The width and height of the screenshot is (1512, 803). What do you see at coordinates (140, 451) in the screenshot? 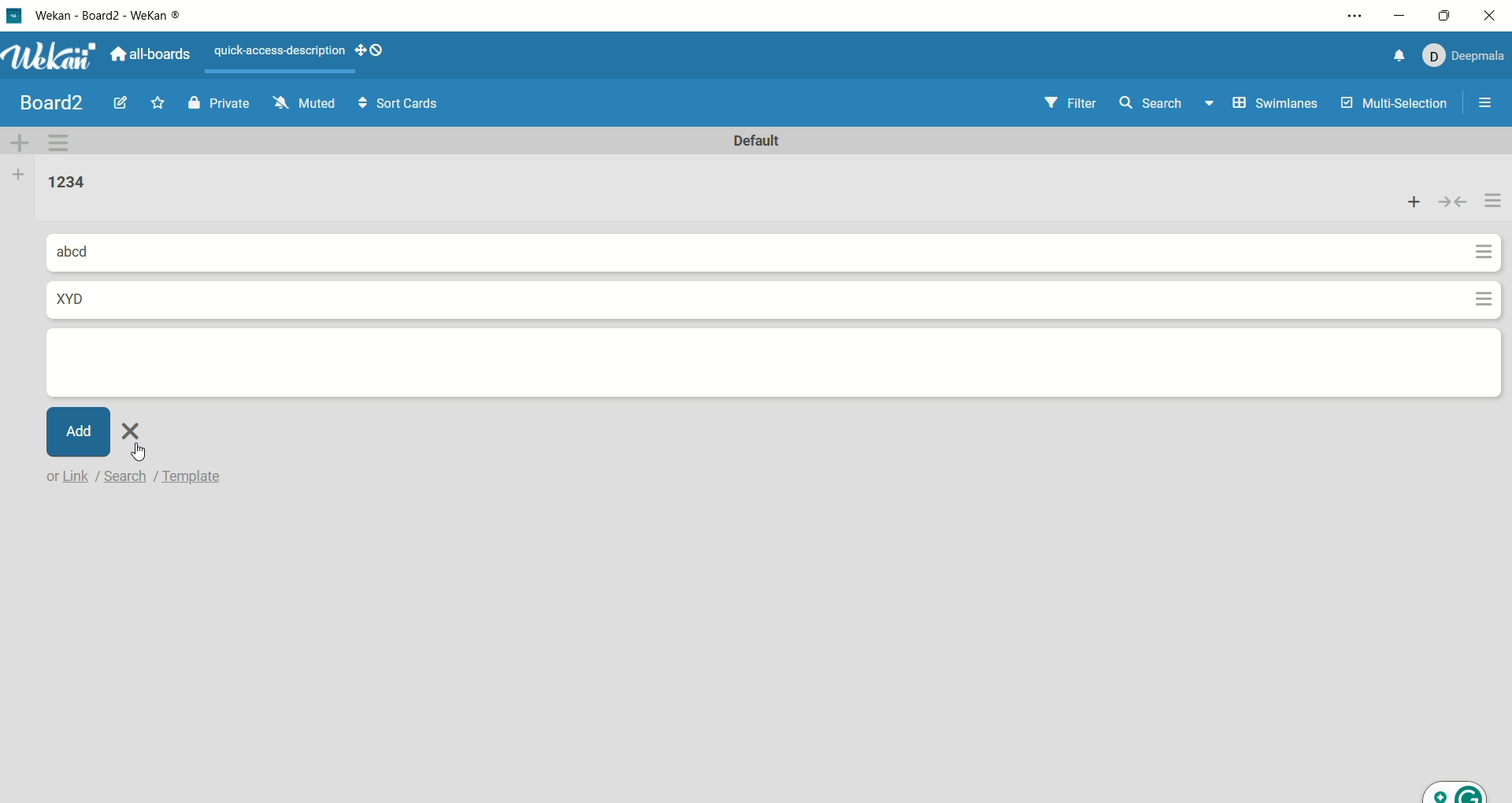
I see `cursor` at bounding box center [140, 451].